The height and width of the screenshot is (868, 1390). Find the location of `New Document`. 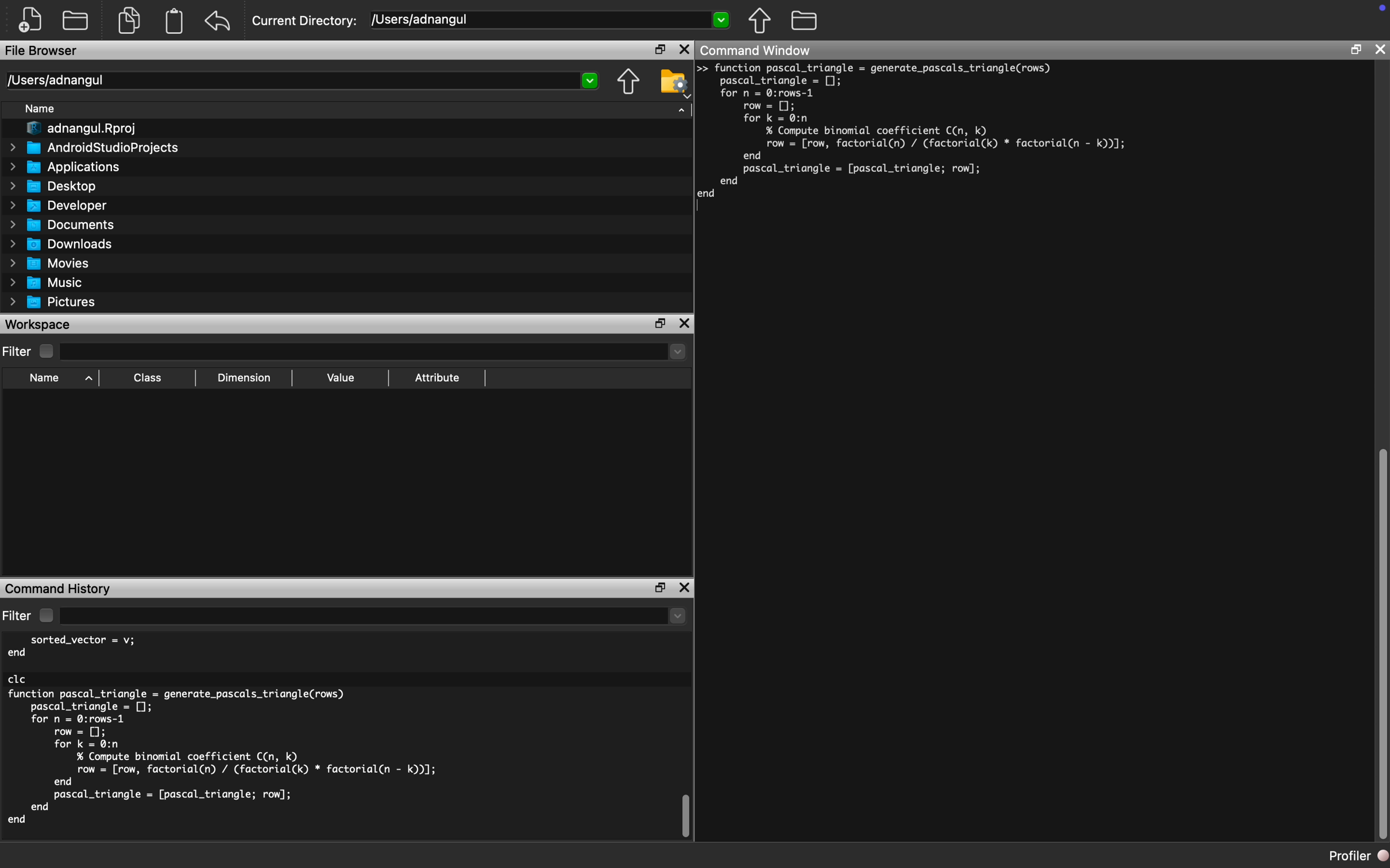

New Document is located at coordinates (30, 20).